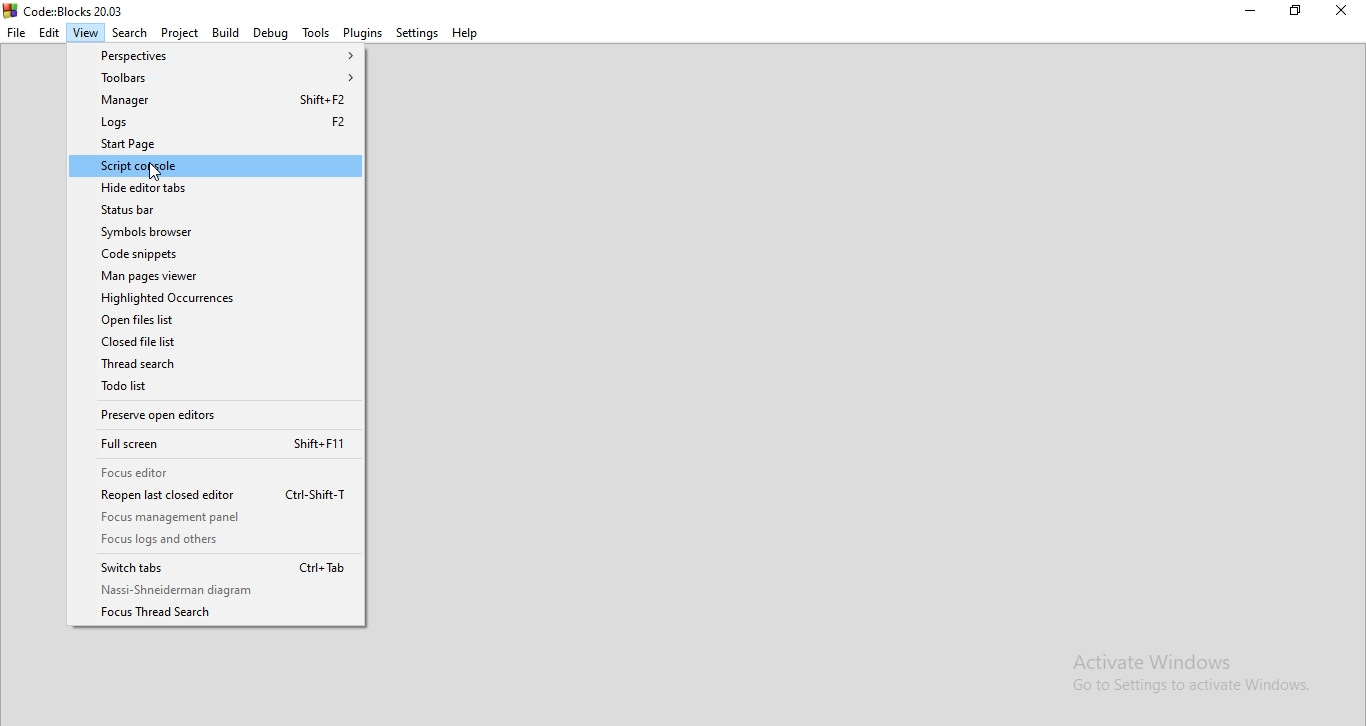 The width and height of the screenshot is (1366, 726). Describe the element at coordinates (218, 473) in the screenshot. I see `Focus editor` at that location.